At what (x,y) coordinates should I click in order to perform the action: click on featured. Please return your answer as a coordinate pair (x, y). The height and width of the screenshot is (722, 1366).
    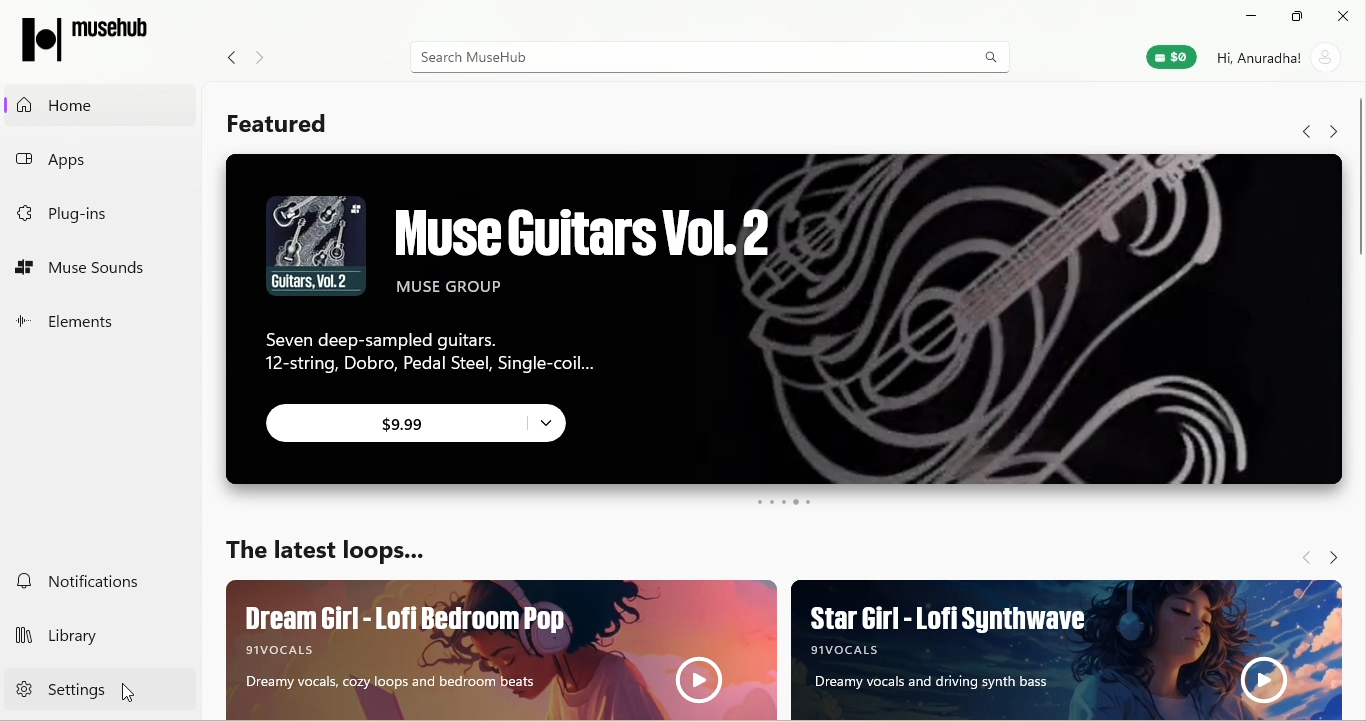
    Looking at the image, I should click on (297, 123).